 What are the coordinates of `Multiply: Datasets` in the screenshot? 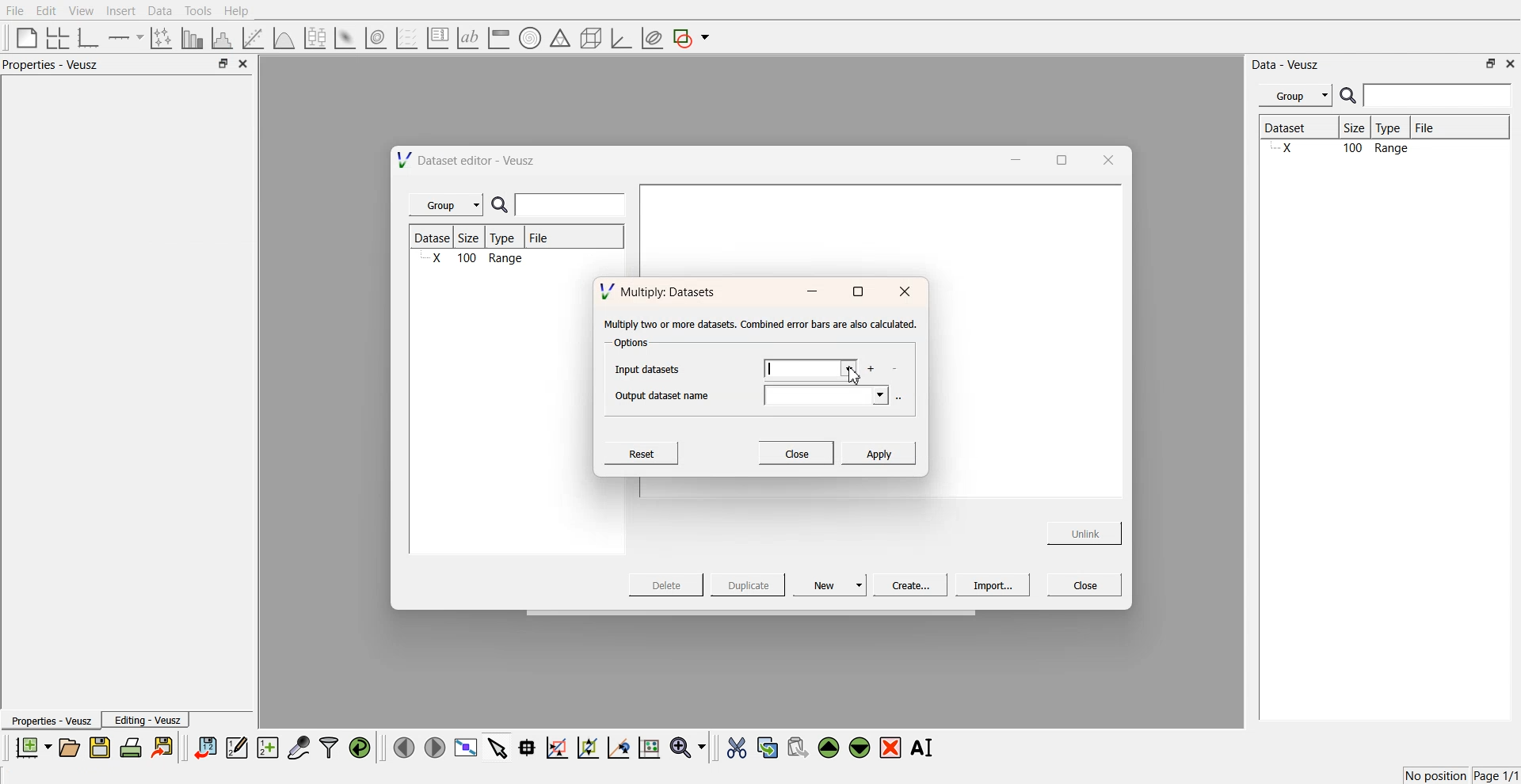 It's located at (660, 290).